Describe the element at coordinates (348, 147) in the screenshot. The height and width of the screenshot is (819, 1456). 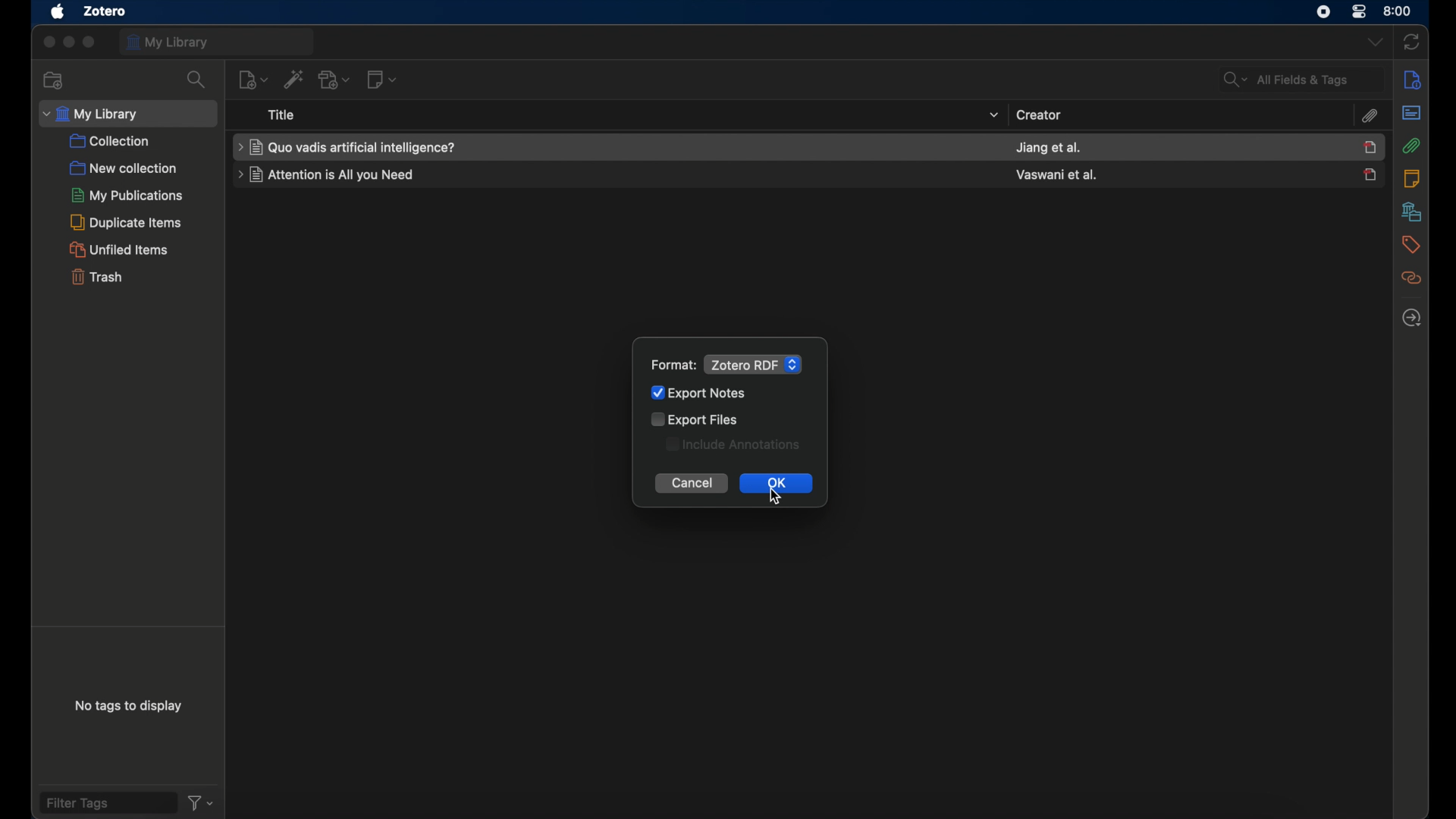
I see `item name highlighted` at that location.